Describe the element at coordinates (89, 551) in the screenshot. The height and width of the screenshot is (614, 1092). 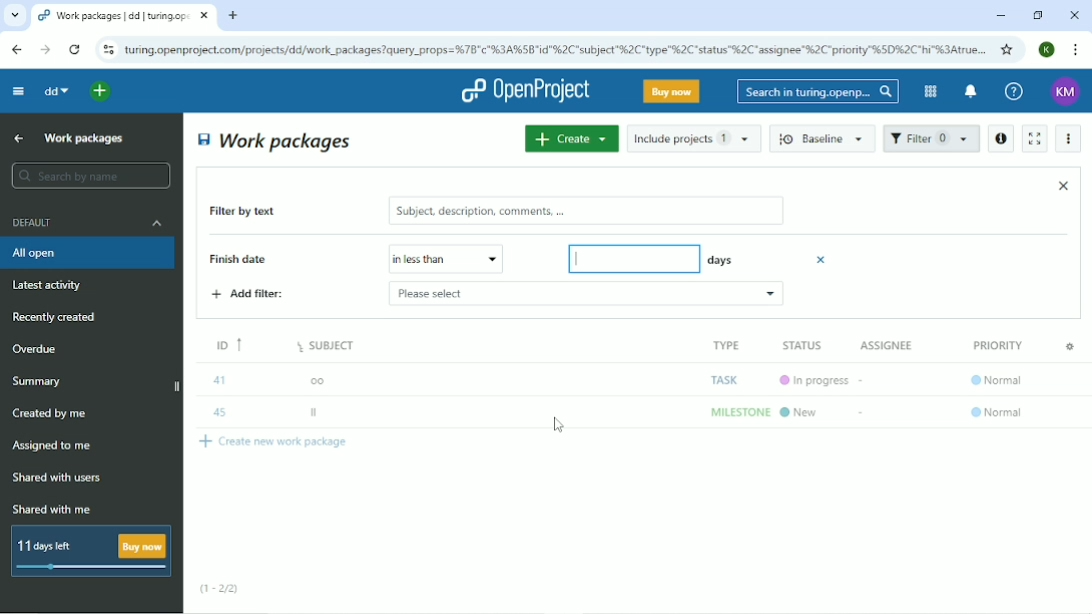
I see `11 days left buy now` at that location.